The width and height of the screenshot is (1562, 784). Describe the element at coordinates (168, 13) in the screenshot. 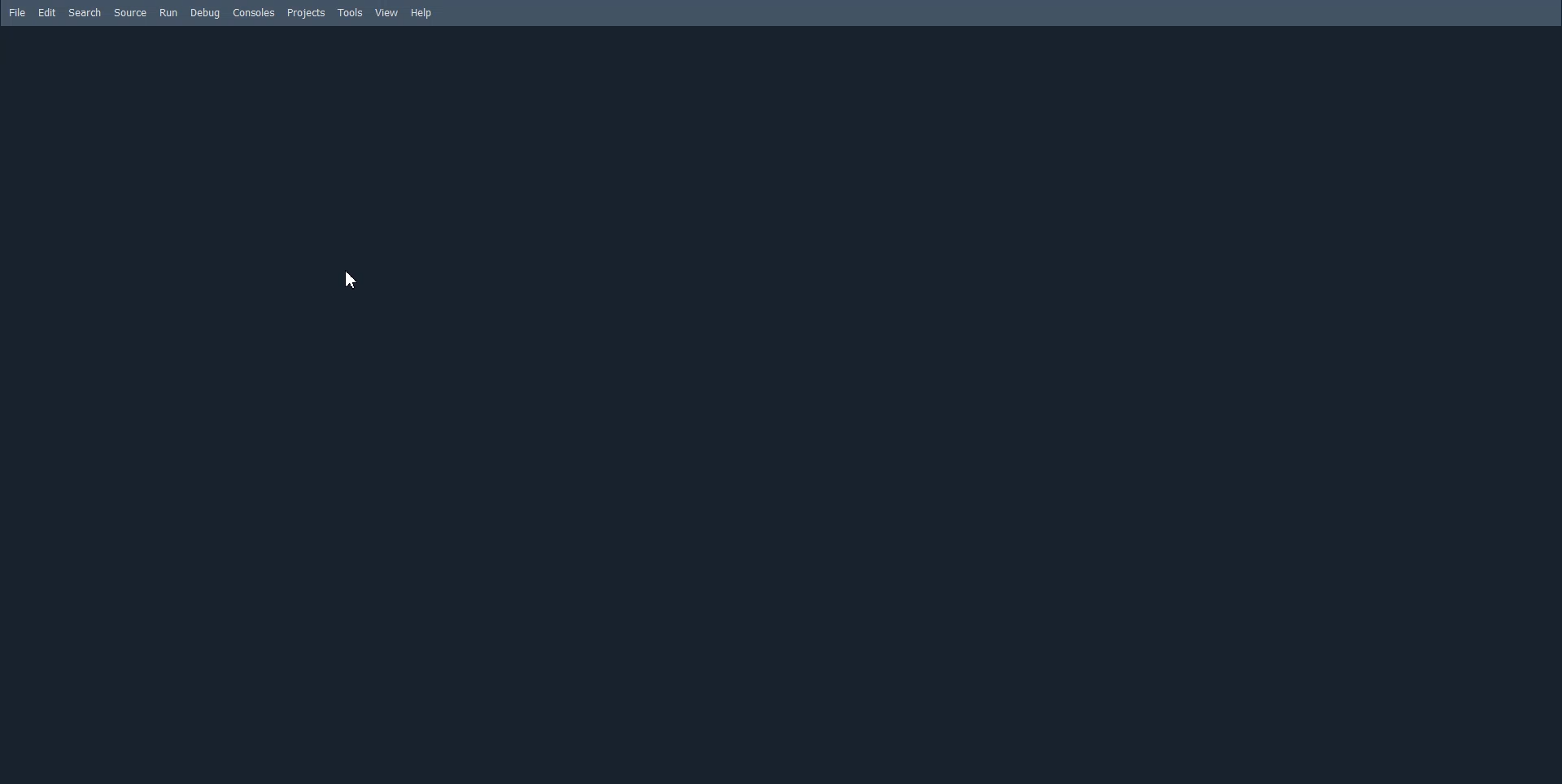

I see `Run` at that location.